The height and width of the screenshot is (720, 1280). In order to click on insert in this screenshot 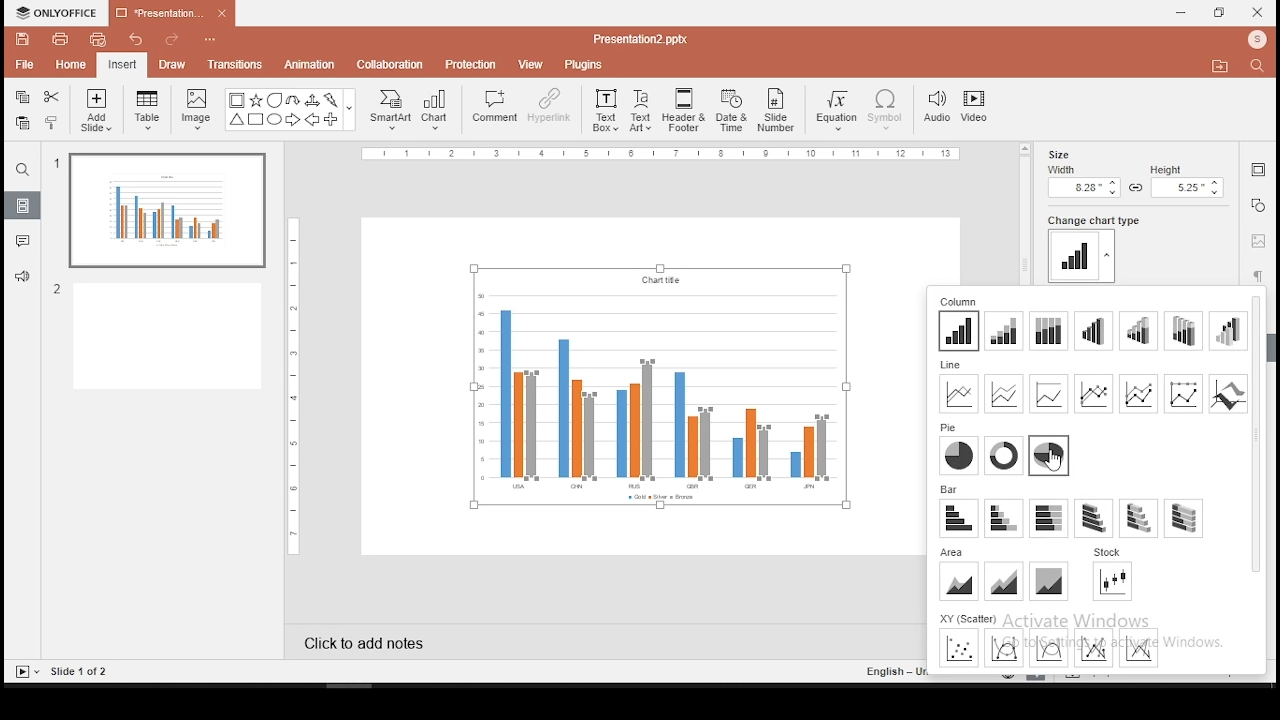, I will do `click(123, 64)`.